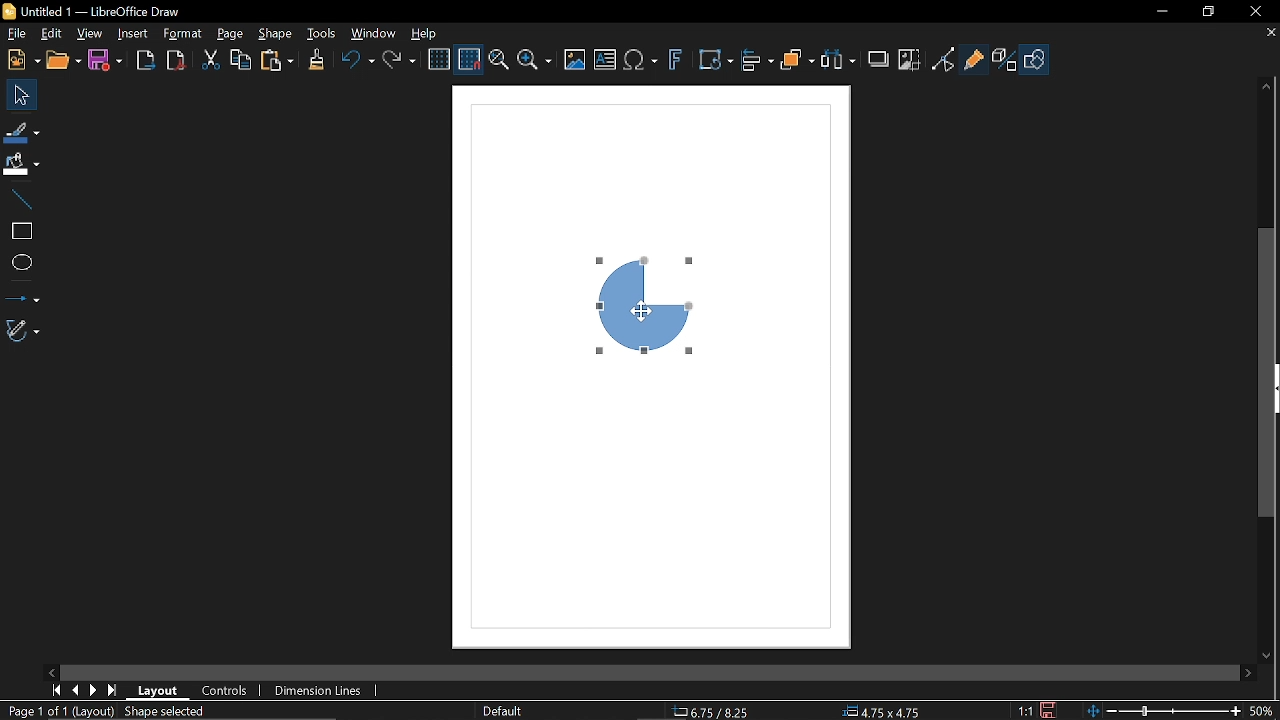 The image size is (1280, 720). What do you see at coordinates (22, 295) in the screenshot?
I see `Lines and arrows` at bounding box center [22, 295].